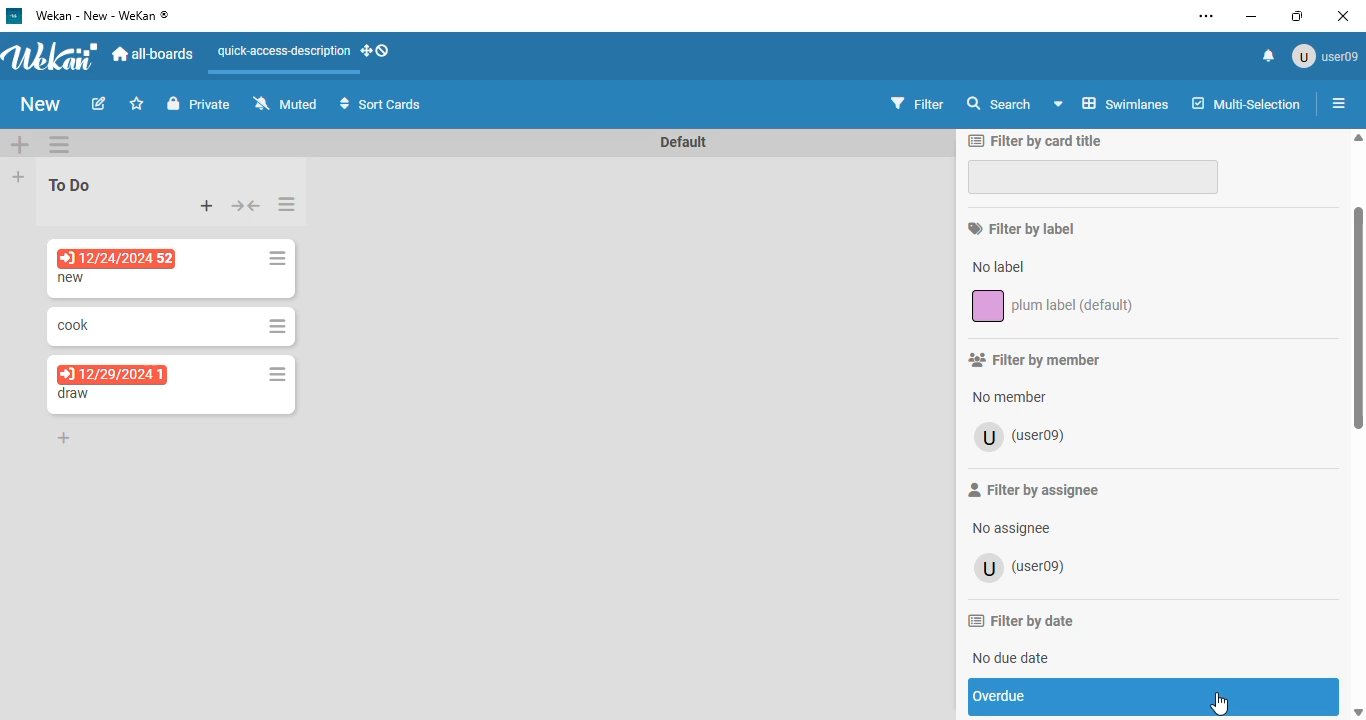 This screenshot has height=720, width=1366. What do you see at coordinates (1252, 16) in the screenshot?
I see `minimize` at bounding box center [1252, 16].